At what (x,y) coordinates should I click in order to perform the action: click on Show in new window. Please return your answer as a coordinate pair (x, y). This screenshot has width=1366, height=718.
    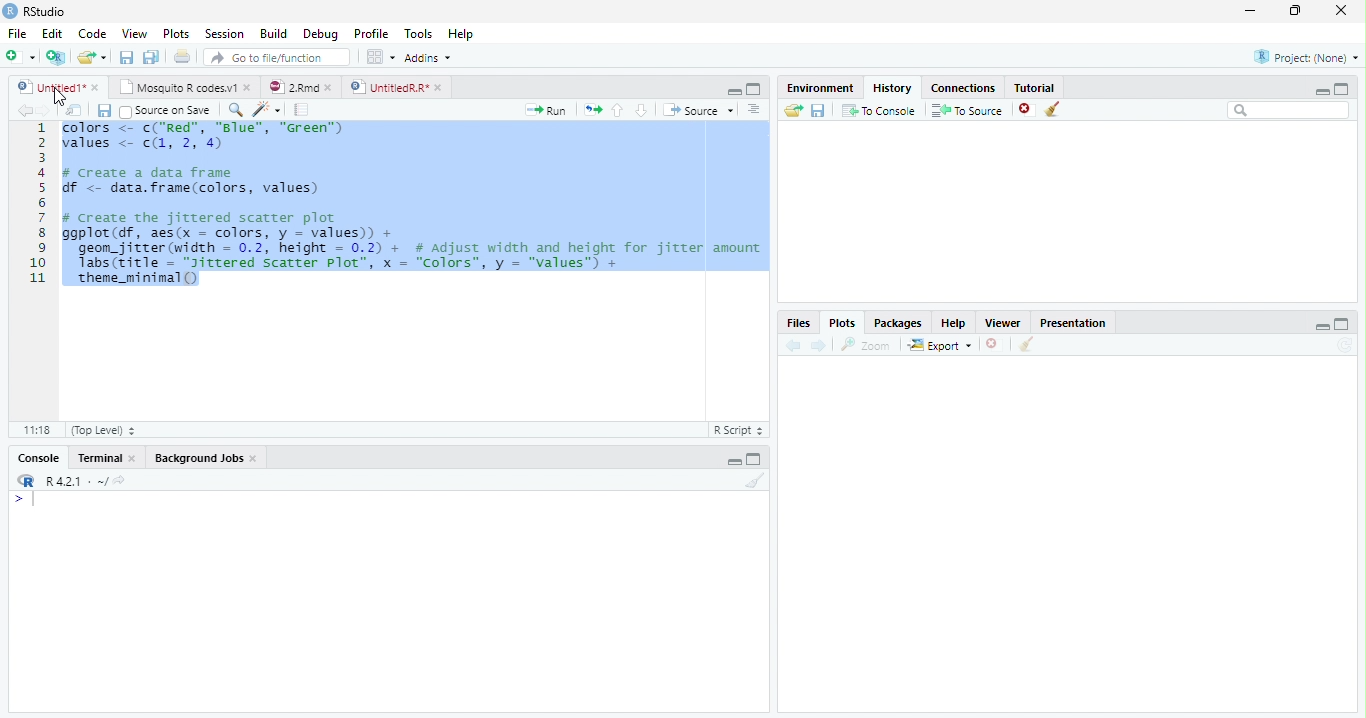
    Looking at the image, I should click on (73, 111).